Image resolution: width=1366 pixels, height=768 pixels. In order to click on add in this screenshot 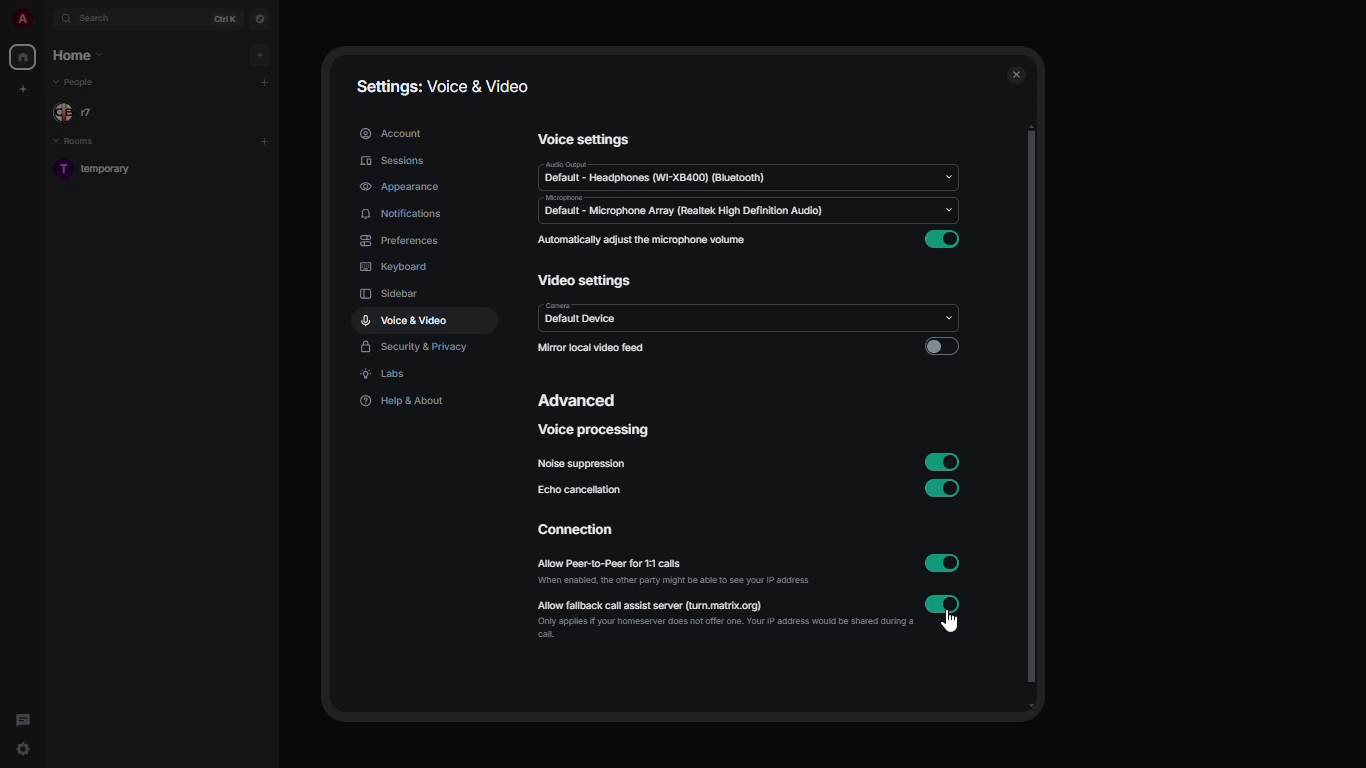, I will do `click(262, 82)`.